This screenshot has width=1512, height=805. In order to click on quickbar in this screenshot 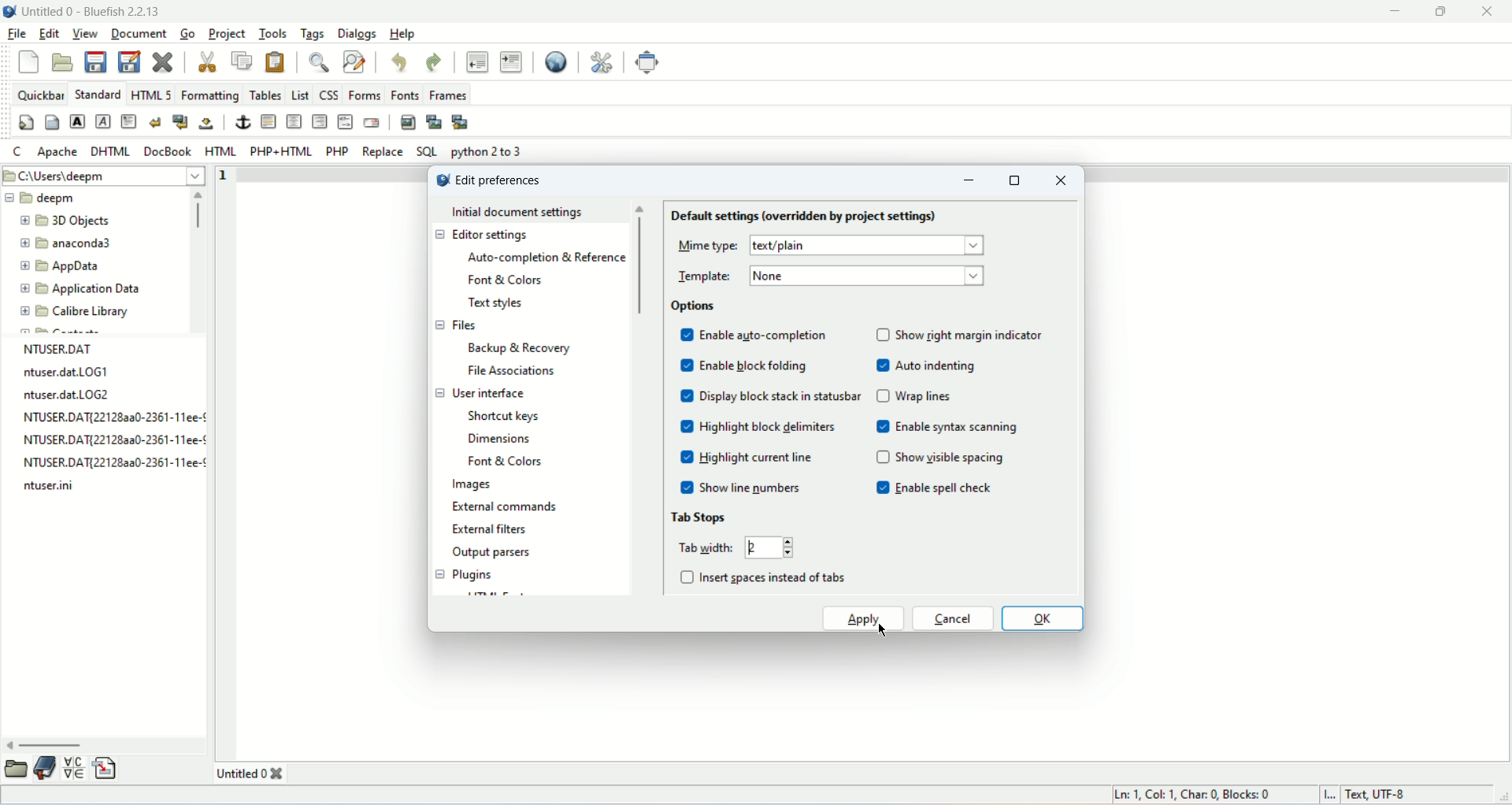, I will do `click(40, 93)`.